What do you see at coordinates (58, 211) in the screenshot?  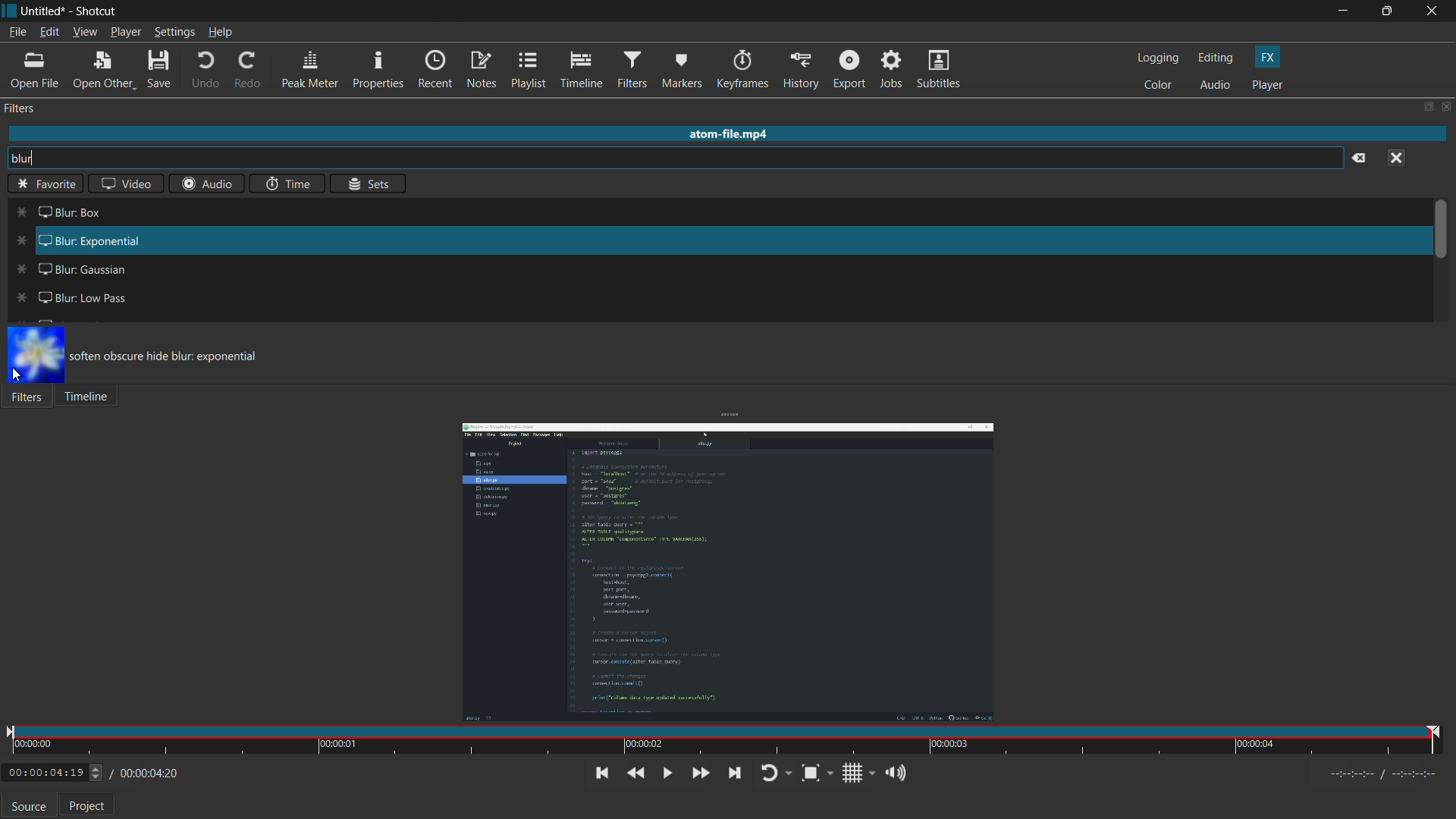 I see `blur box` at bounding box center [58, 211].